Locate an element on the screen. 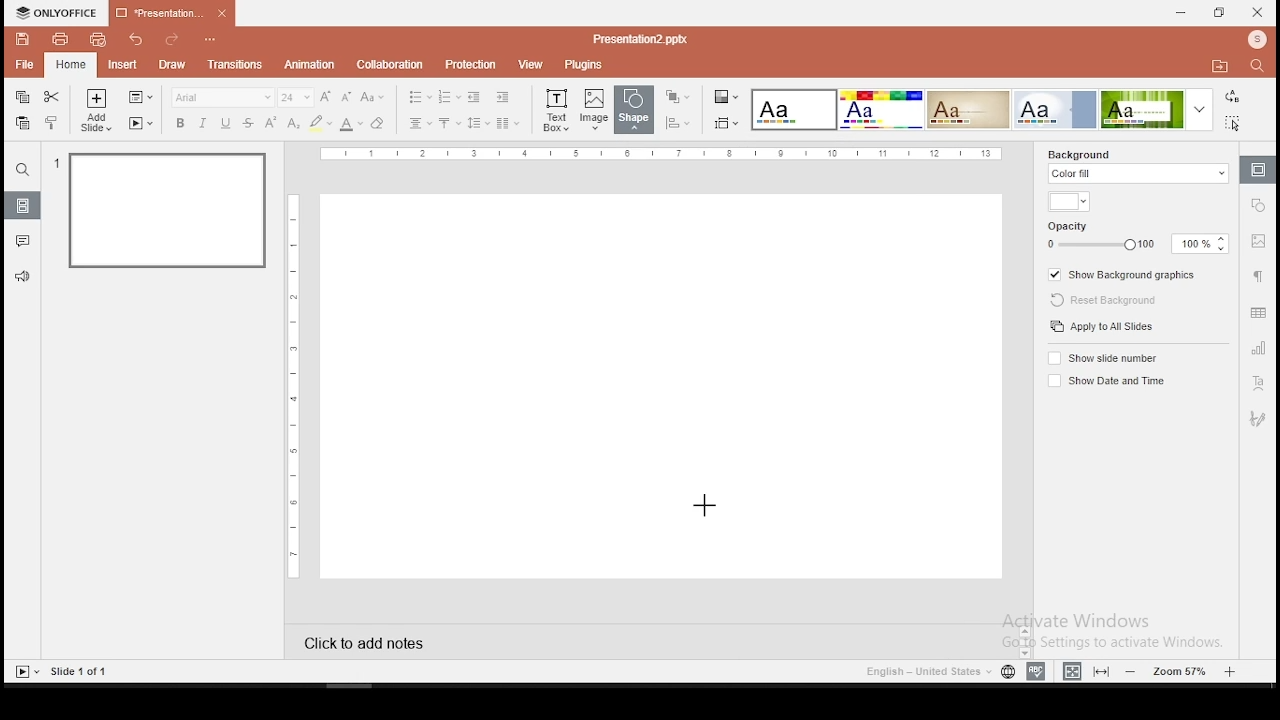 This screenshot has width=1280, height=720. text art tool is located at coordinates (1256, 385).